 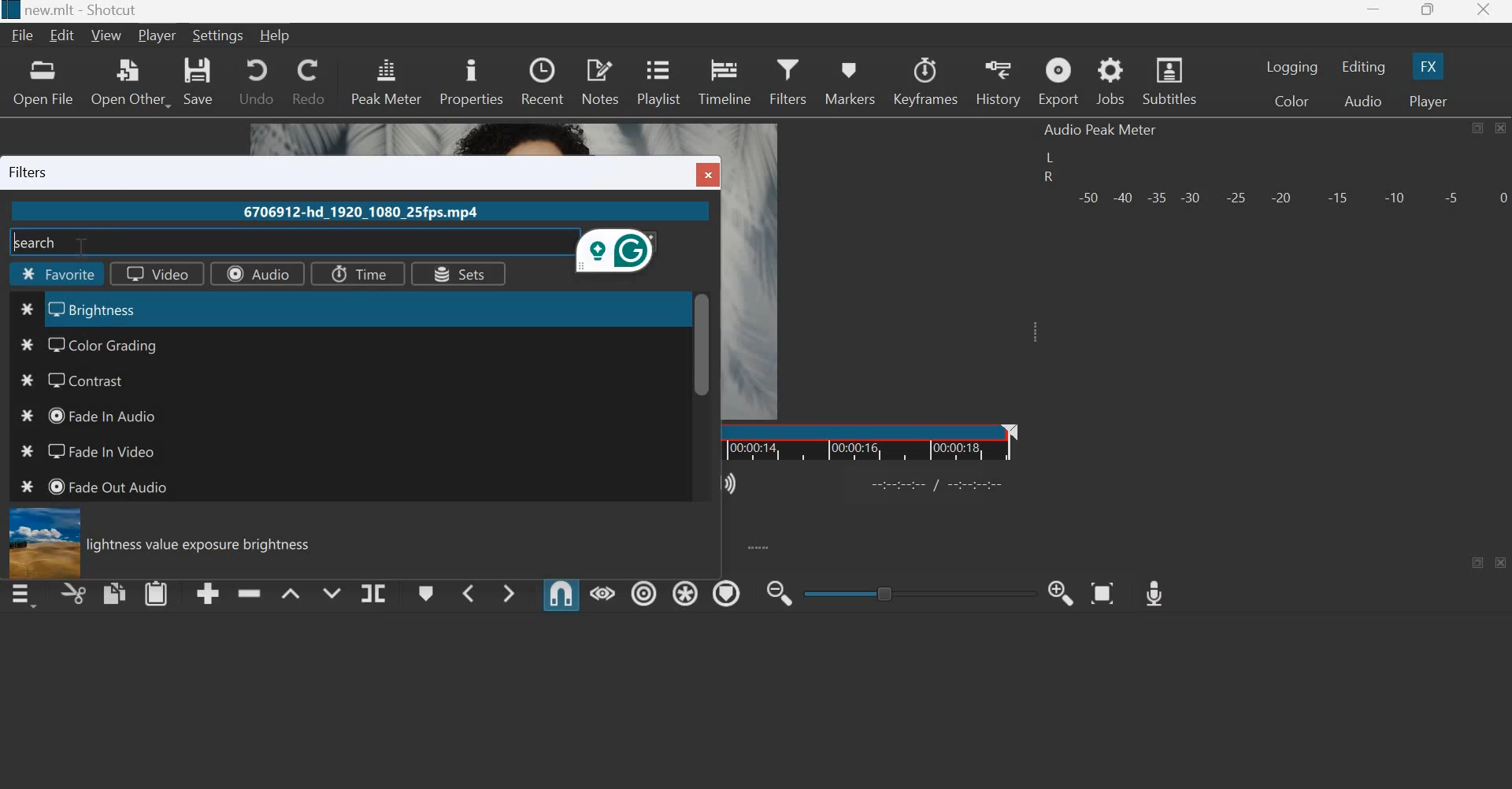 What do you see at coordinates (28, 344) in the screenshot?
I see `` at bounding box center [28, 344].